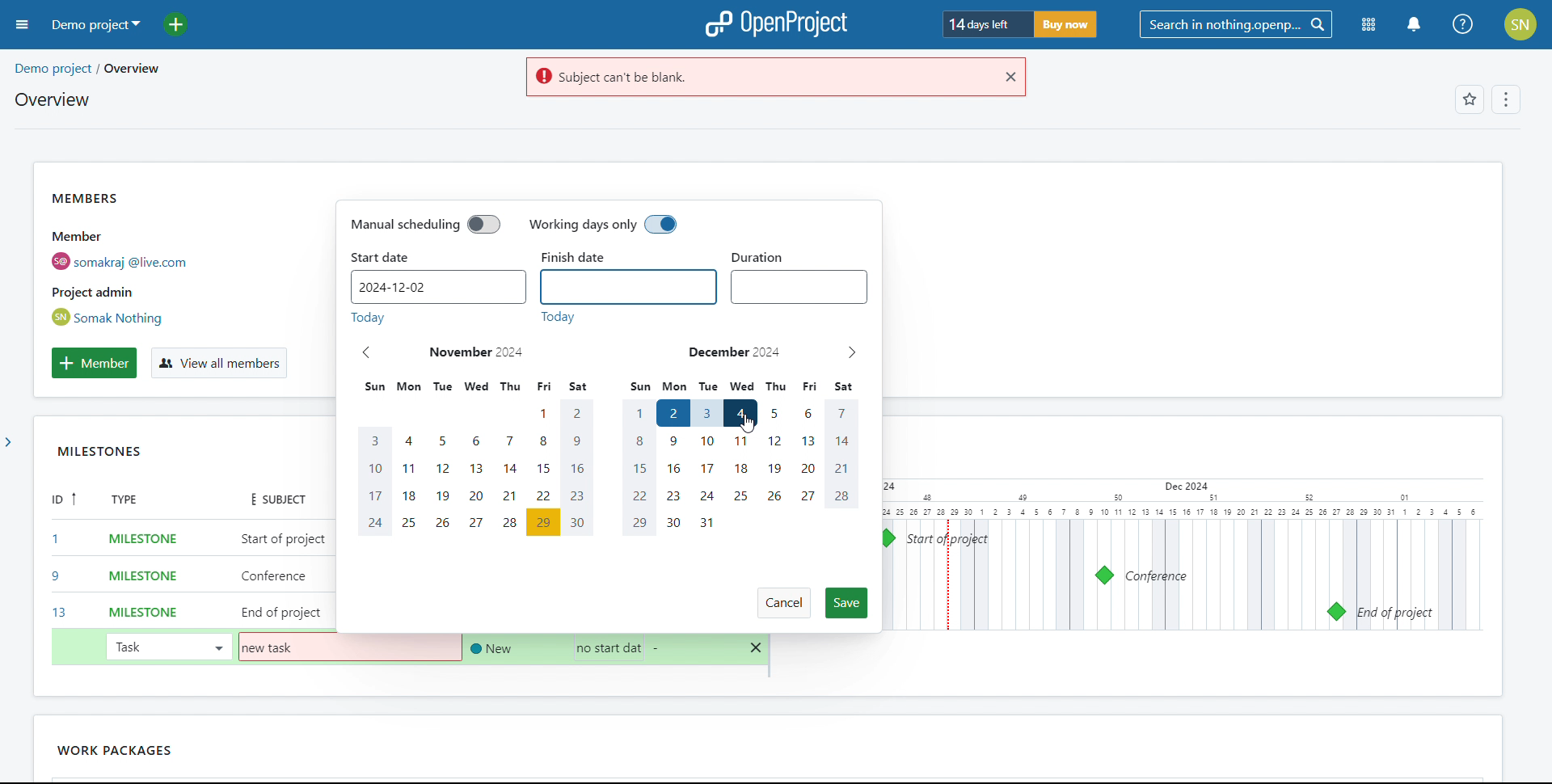 Image resolution: width=1552 pixels, height=784 pixels. I want to click on december 2024, so click(733, 352).